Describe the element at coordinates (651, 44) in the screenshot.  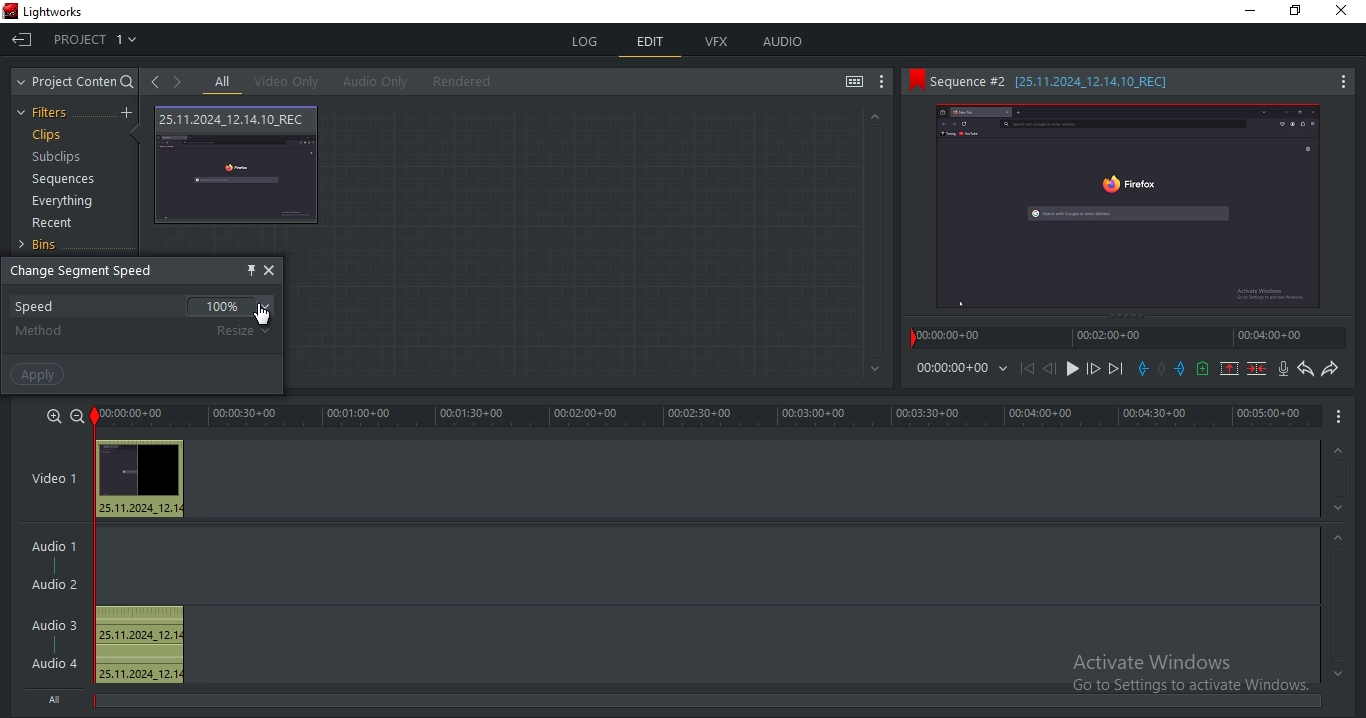
I see `edit` at that location.